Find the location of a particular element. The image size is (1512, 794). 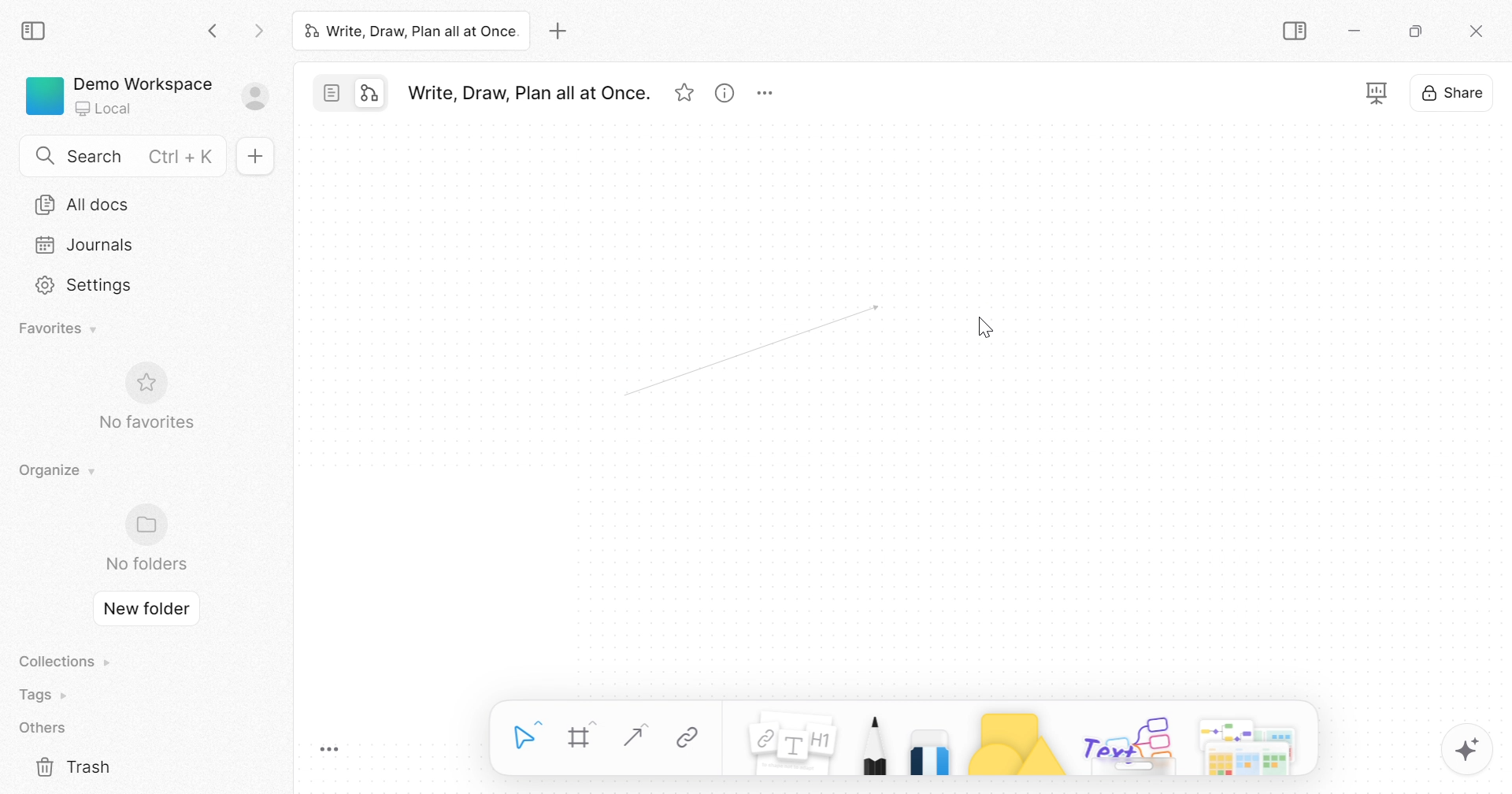

Green color is located at coordinates (45, 95).